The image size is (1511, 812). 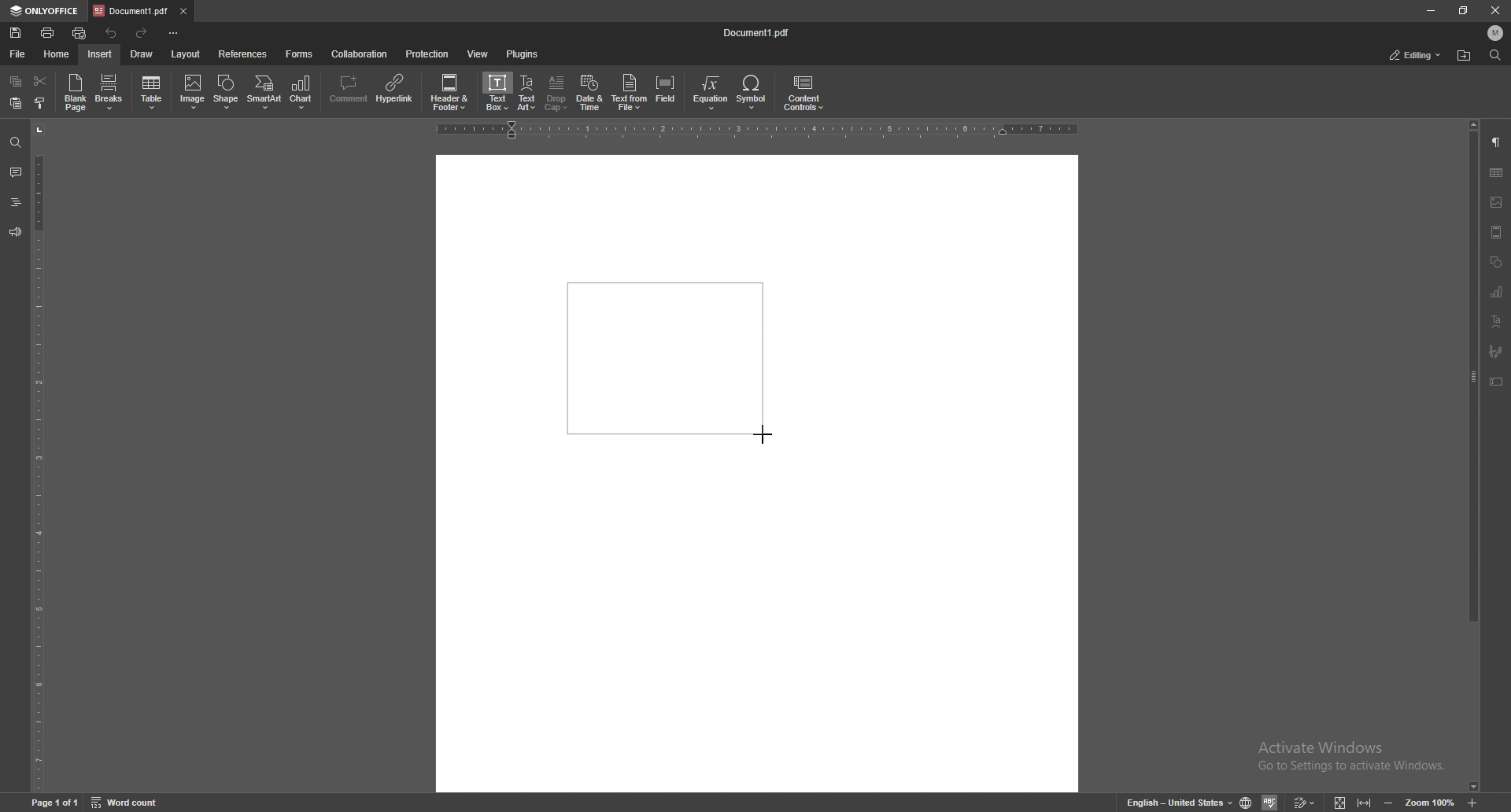 What do you see at coordinates (1355, 757) in the screenshot?
I see `Activate Windows
Go to Settings to activate Windows.` at bounding box center [1355, 757].